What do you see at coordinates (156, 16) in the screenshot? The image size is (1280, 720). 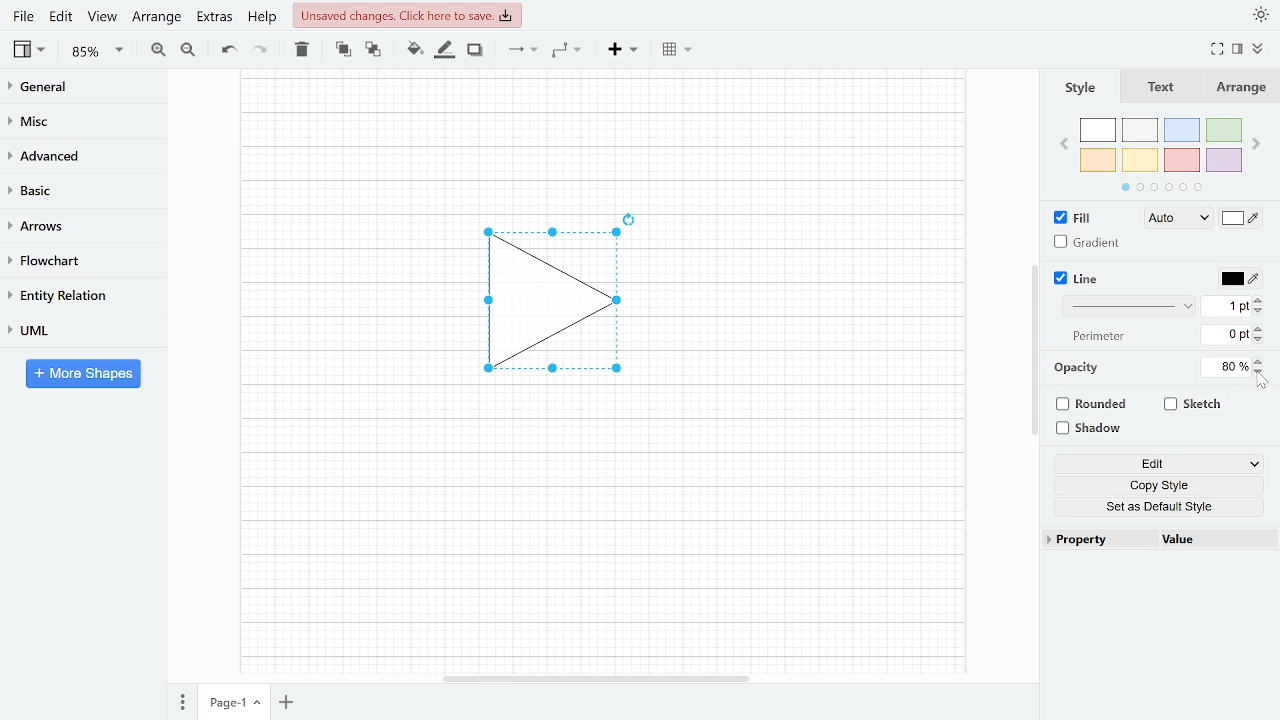 I see `Arrange` at bounding box center [156, 16].